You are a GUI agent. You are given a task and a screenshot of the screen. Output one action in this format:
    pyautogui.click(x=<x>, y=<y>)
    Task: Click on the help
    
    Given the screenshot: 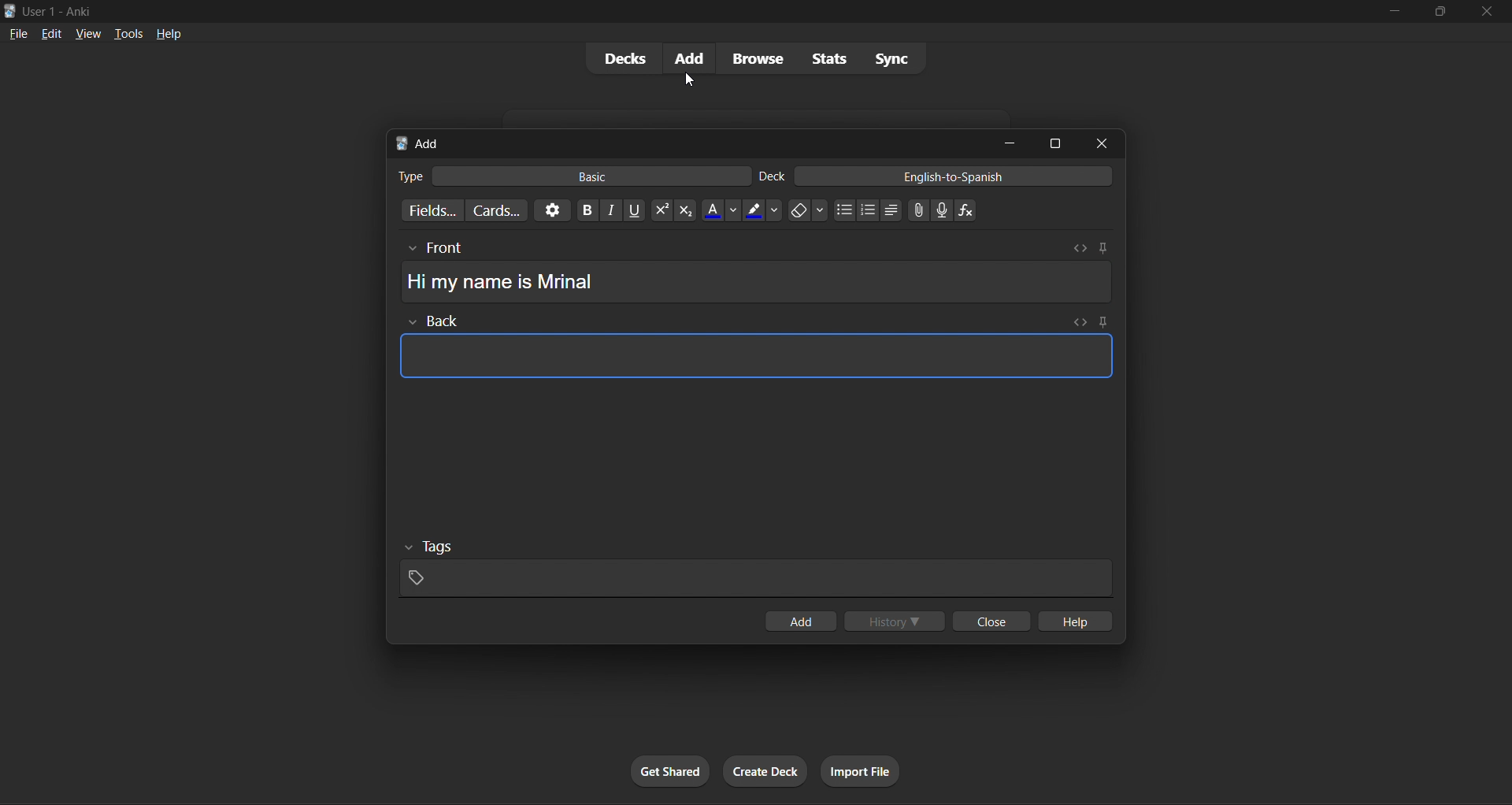 What is the action you would take?
    pyautogui.click(x=165, y=31)
    